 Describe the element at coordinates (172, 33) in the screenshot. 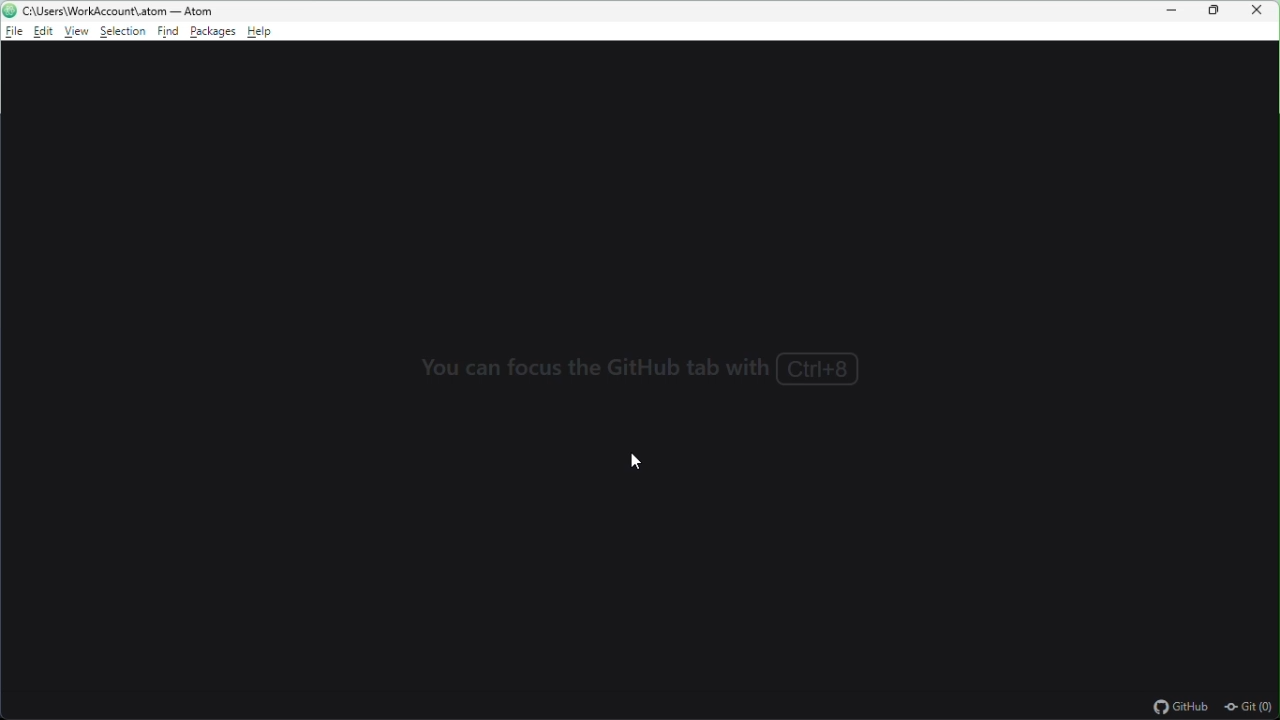

I see `find` at that location.